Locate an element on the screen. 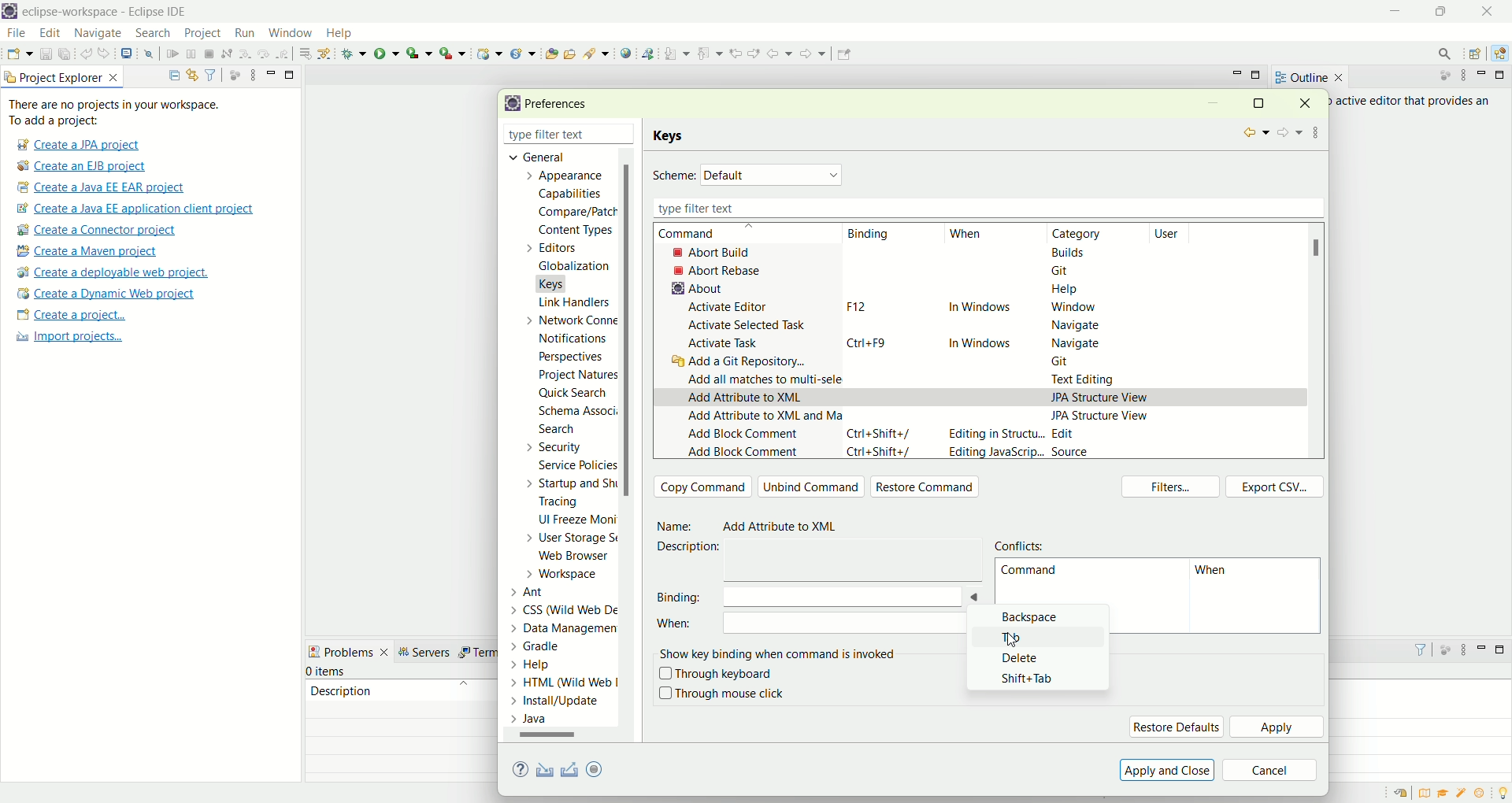 The height and width of the screenshot is (803, 1512). navigate is located at coordinates (1077, 342).